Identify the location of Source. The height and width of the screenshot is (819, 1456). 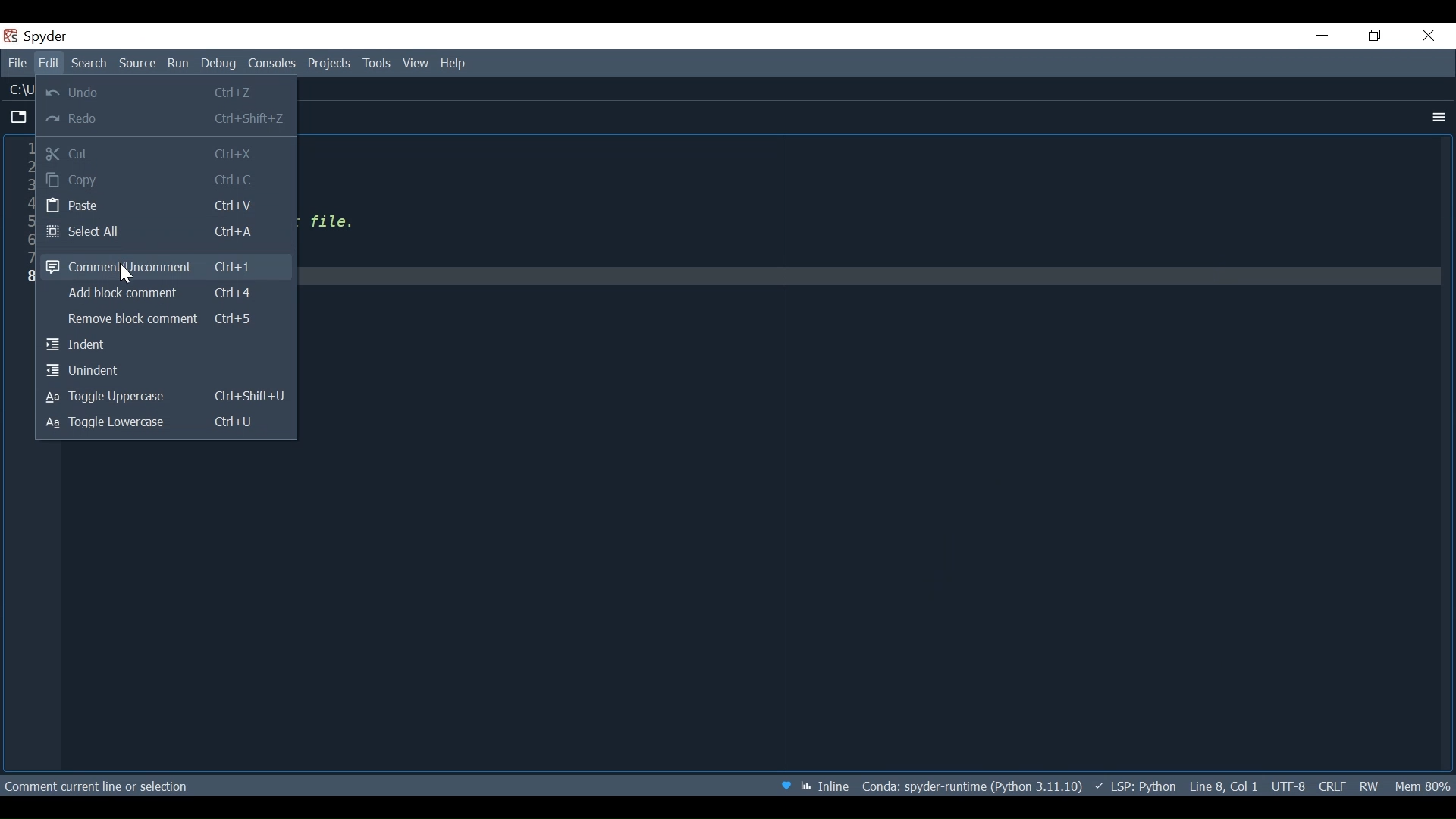
(138, 64).